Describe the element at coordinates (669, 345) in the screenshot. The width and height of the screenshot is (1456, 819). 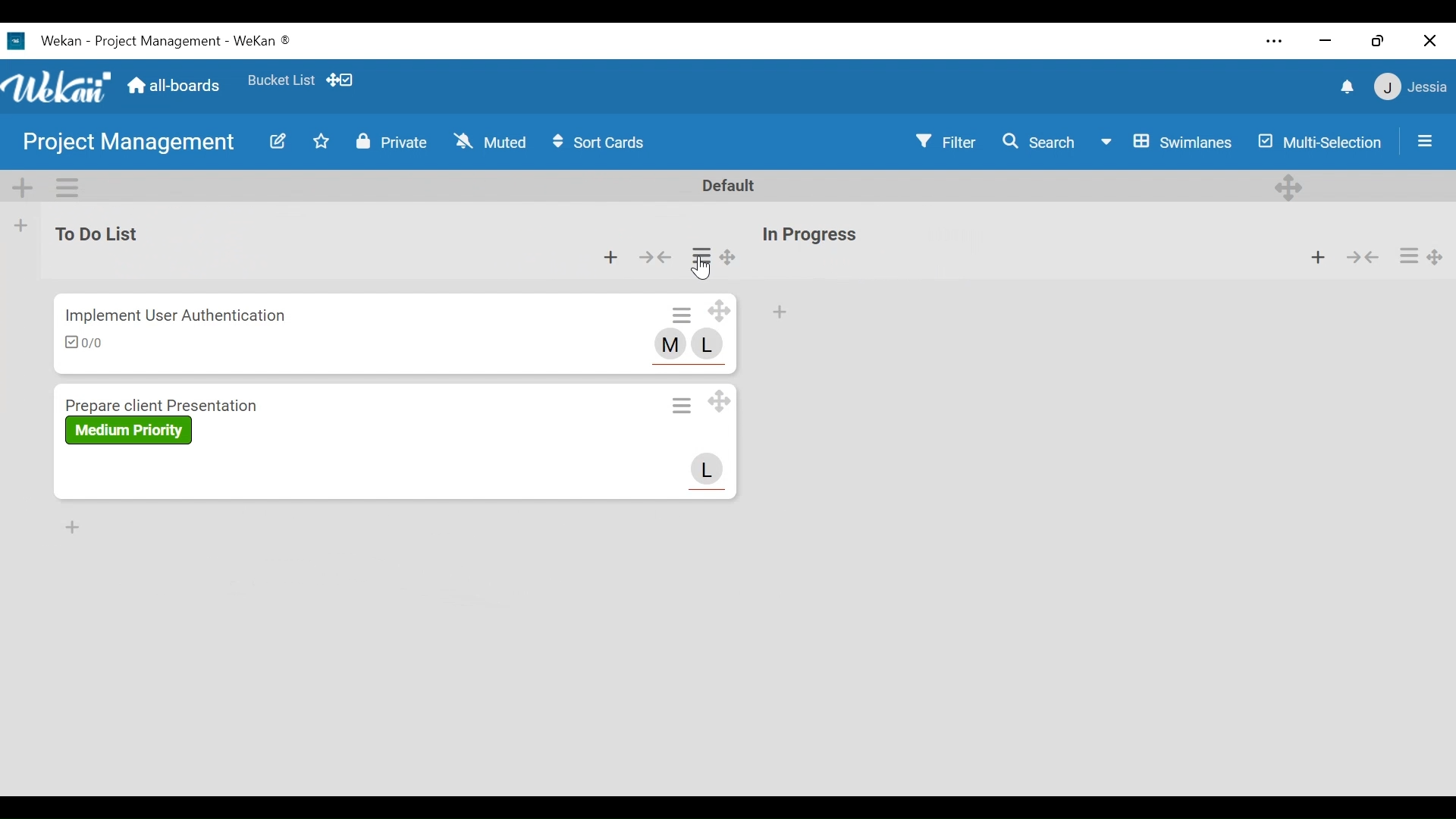
I see `M` at that location.